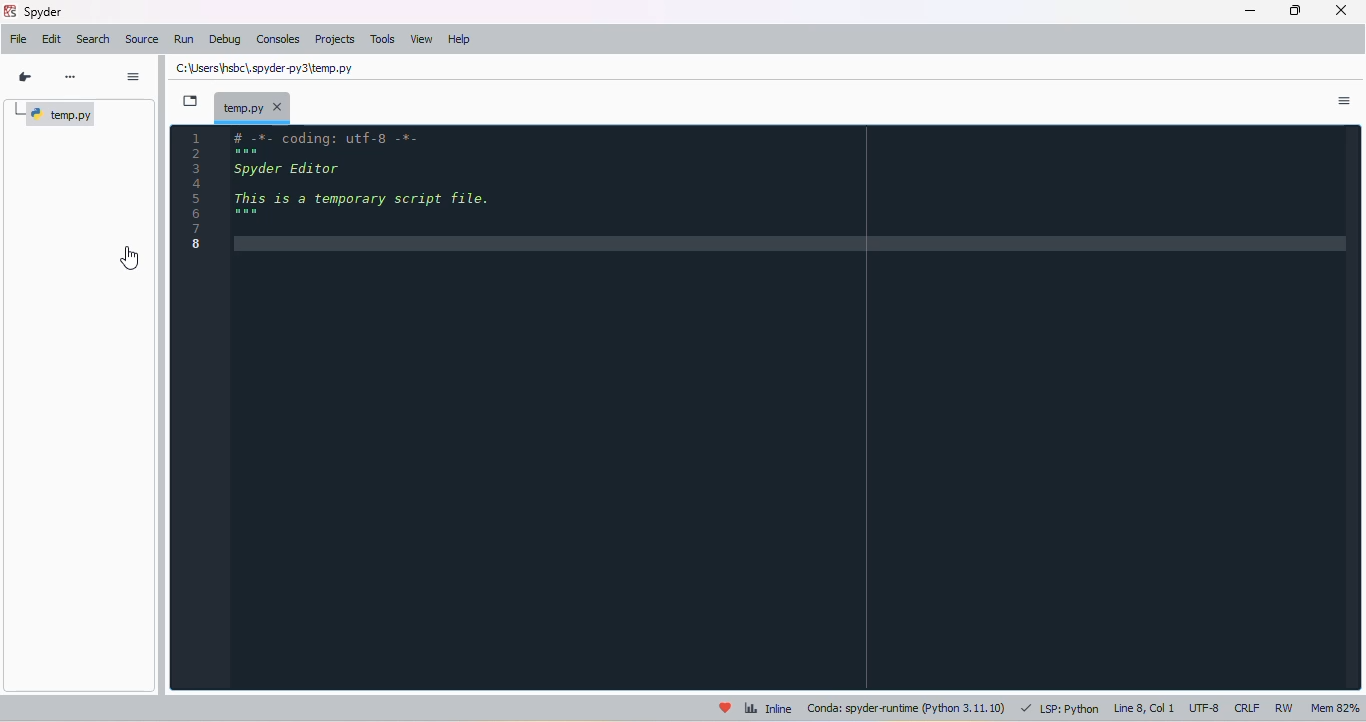  What do you see at coordinates (53, 39) in the screenshot?
I see `edit` at bounding box center [53, 39].